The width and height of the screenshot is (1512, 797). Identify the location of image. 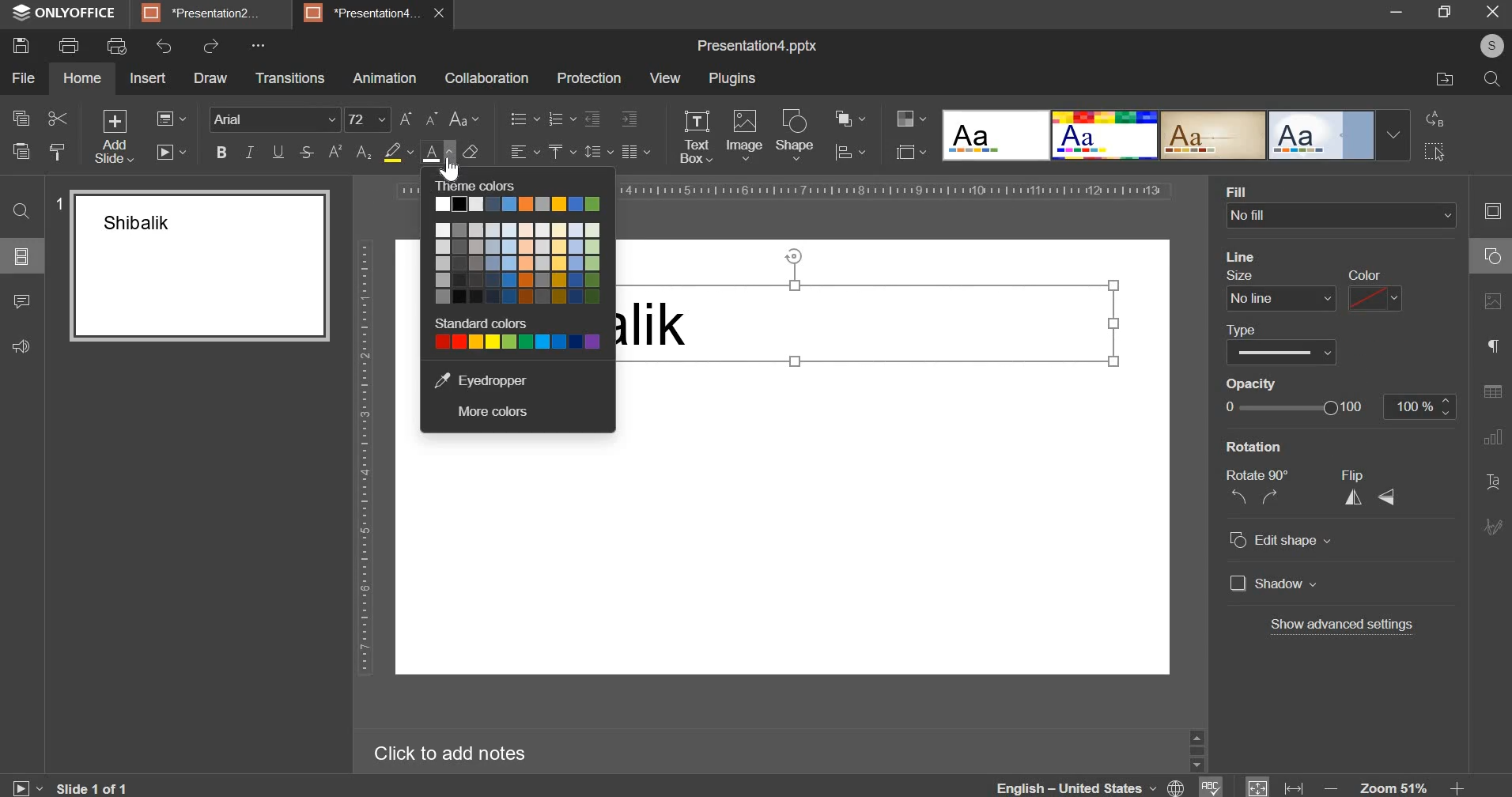
(1492, 309).